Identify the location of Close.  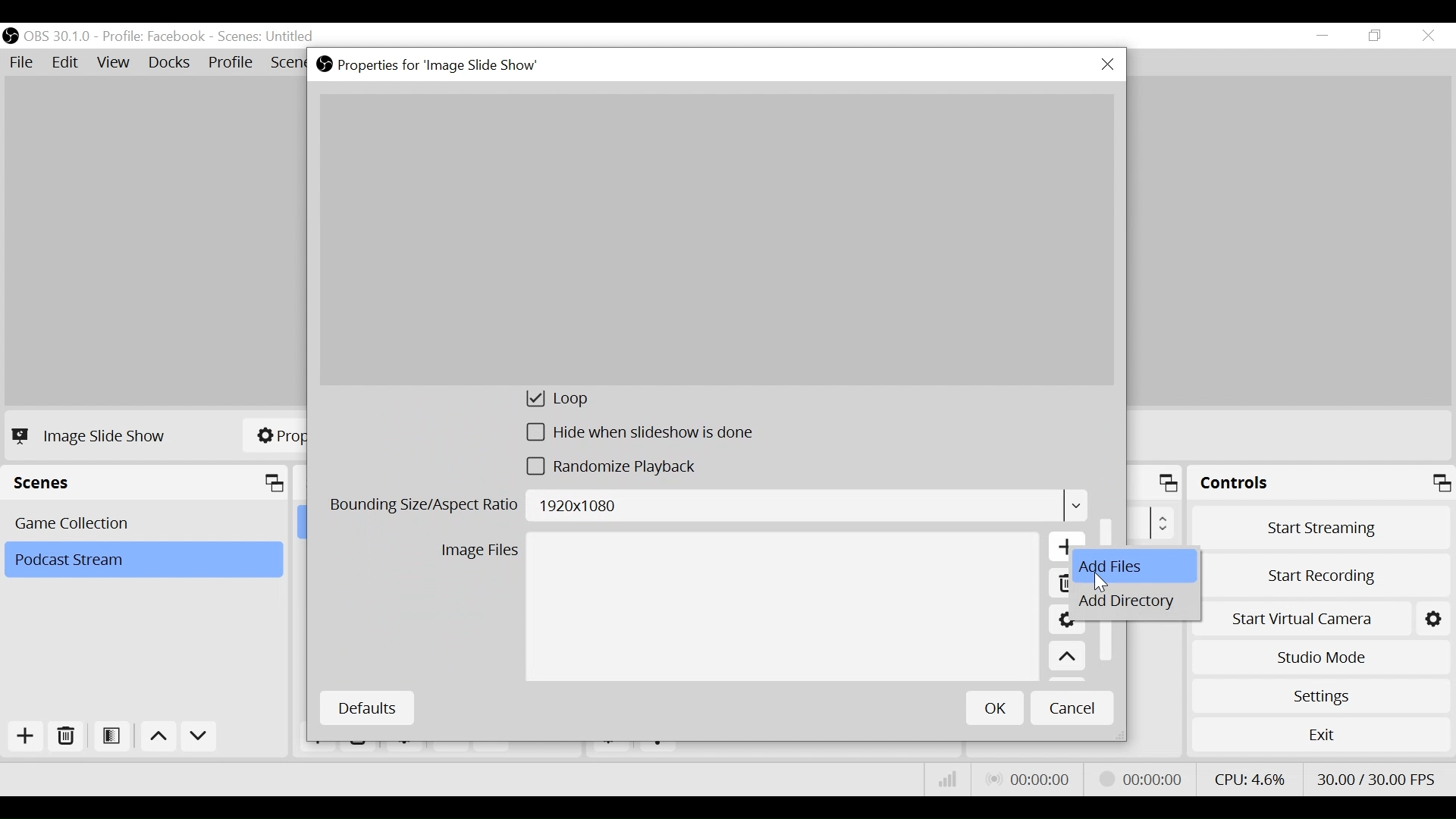
(1107, 65).